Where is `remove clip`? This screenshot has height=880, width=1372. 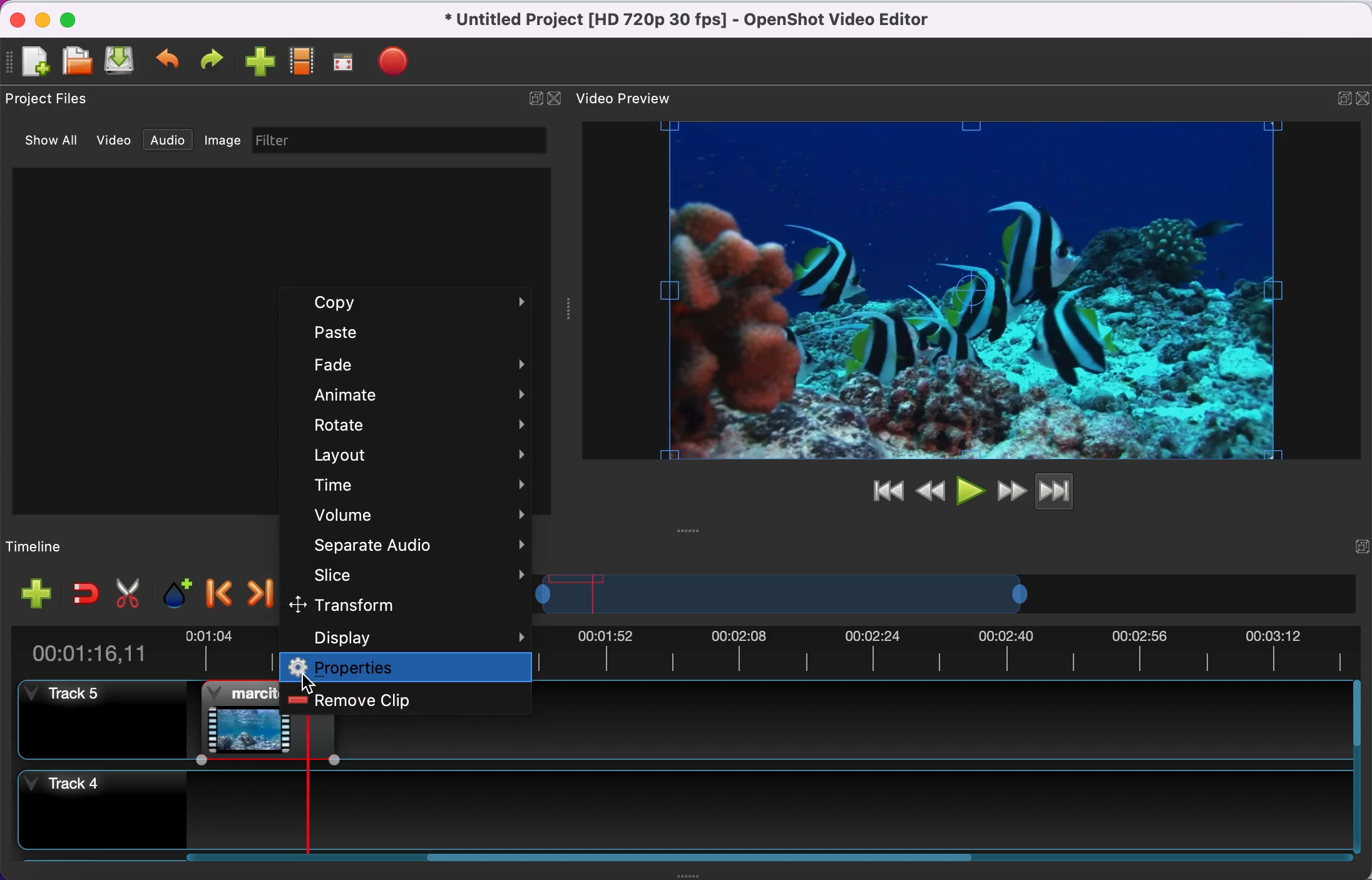
remove clip is located at coordinates (410, 701).